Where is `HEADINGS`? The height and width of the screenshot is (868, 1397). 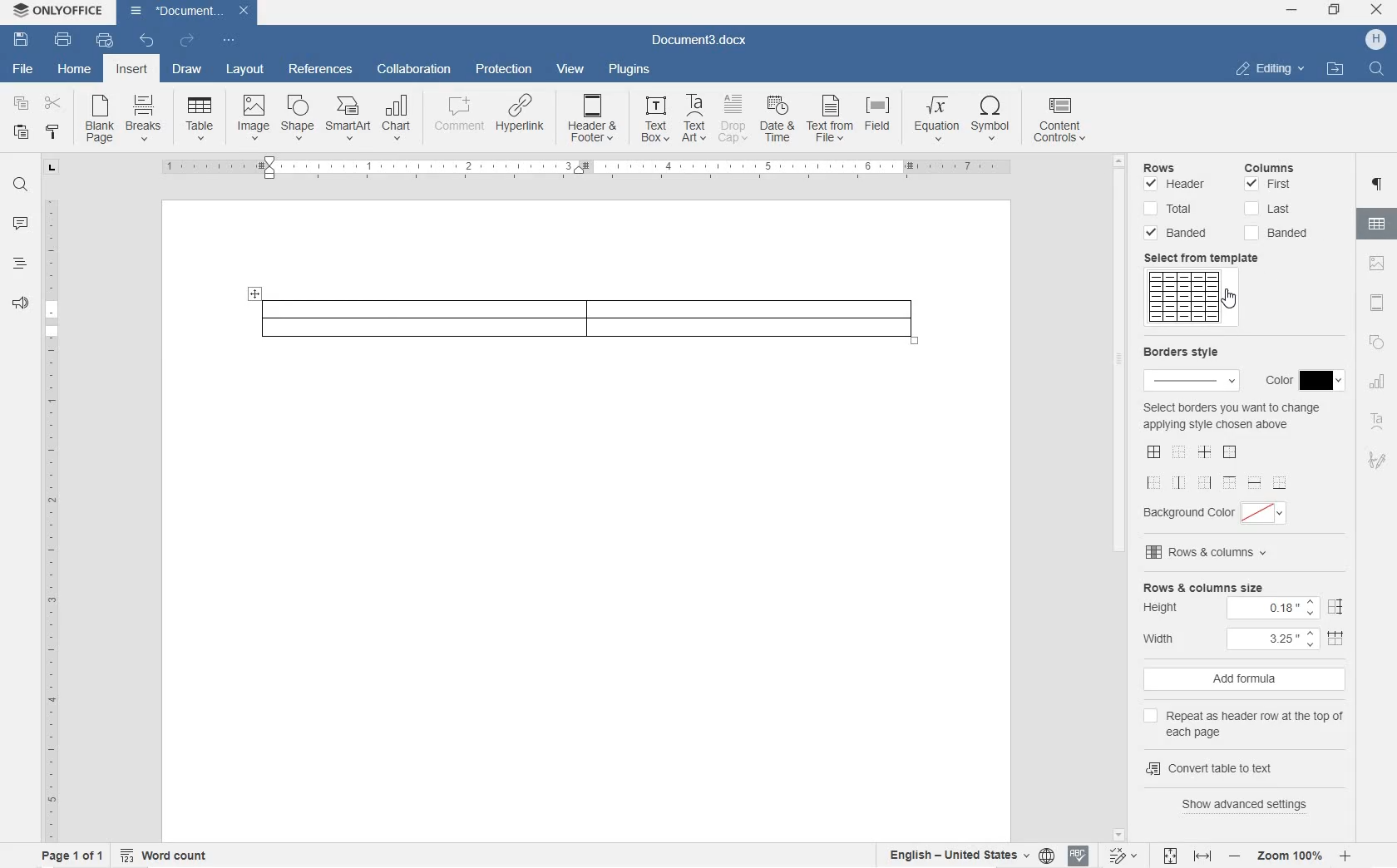 HEADINGS is located at coordinates (17, 267).